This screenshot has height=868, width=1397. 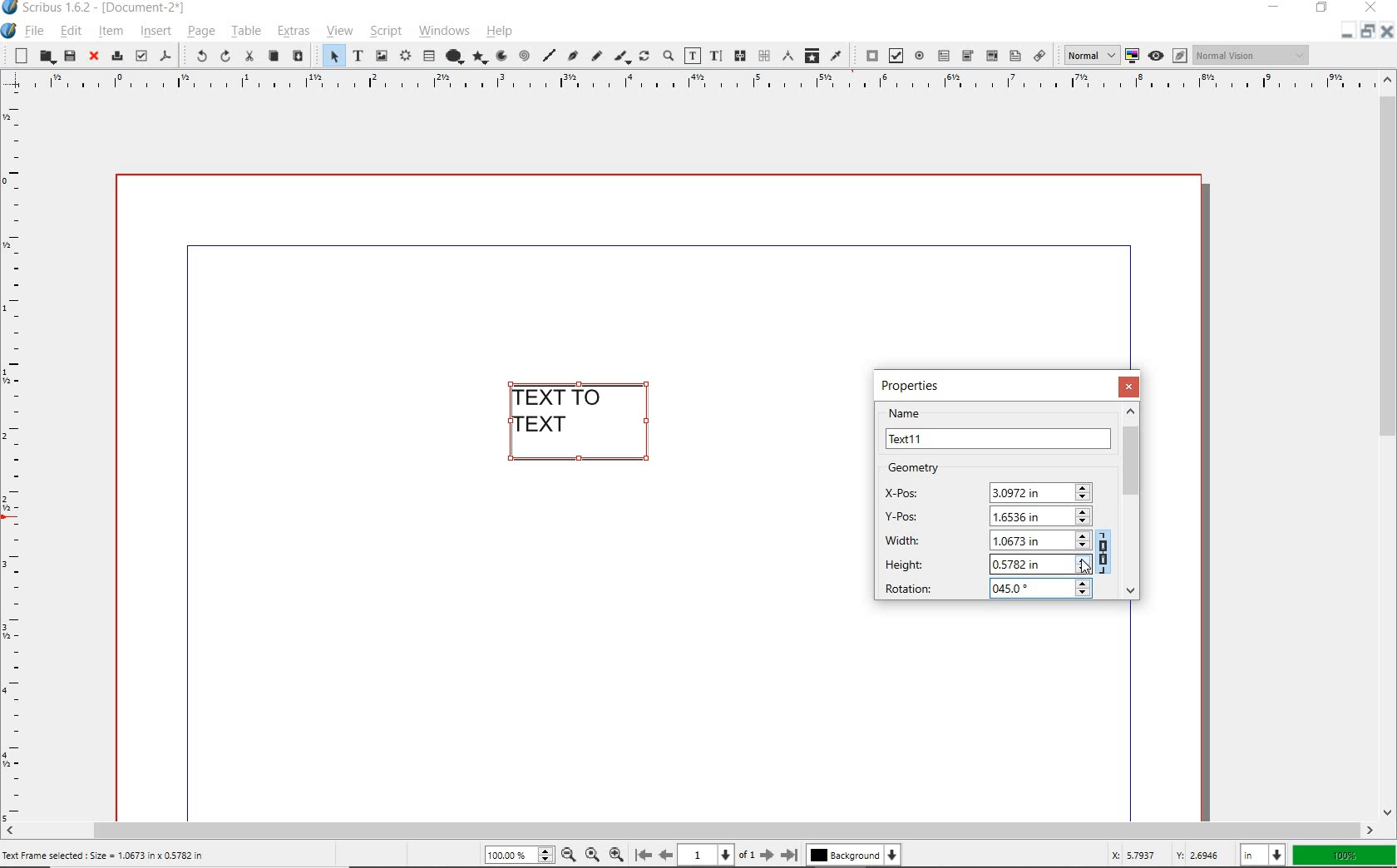 I want to click on HEIGHT, so click(x=988, y=563).